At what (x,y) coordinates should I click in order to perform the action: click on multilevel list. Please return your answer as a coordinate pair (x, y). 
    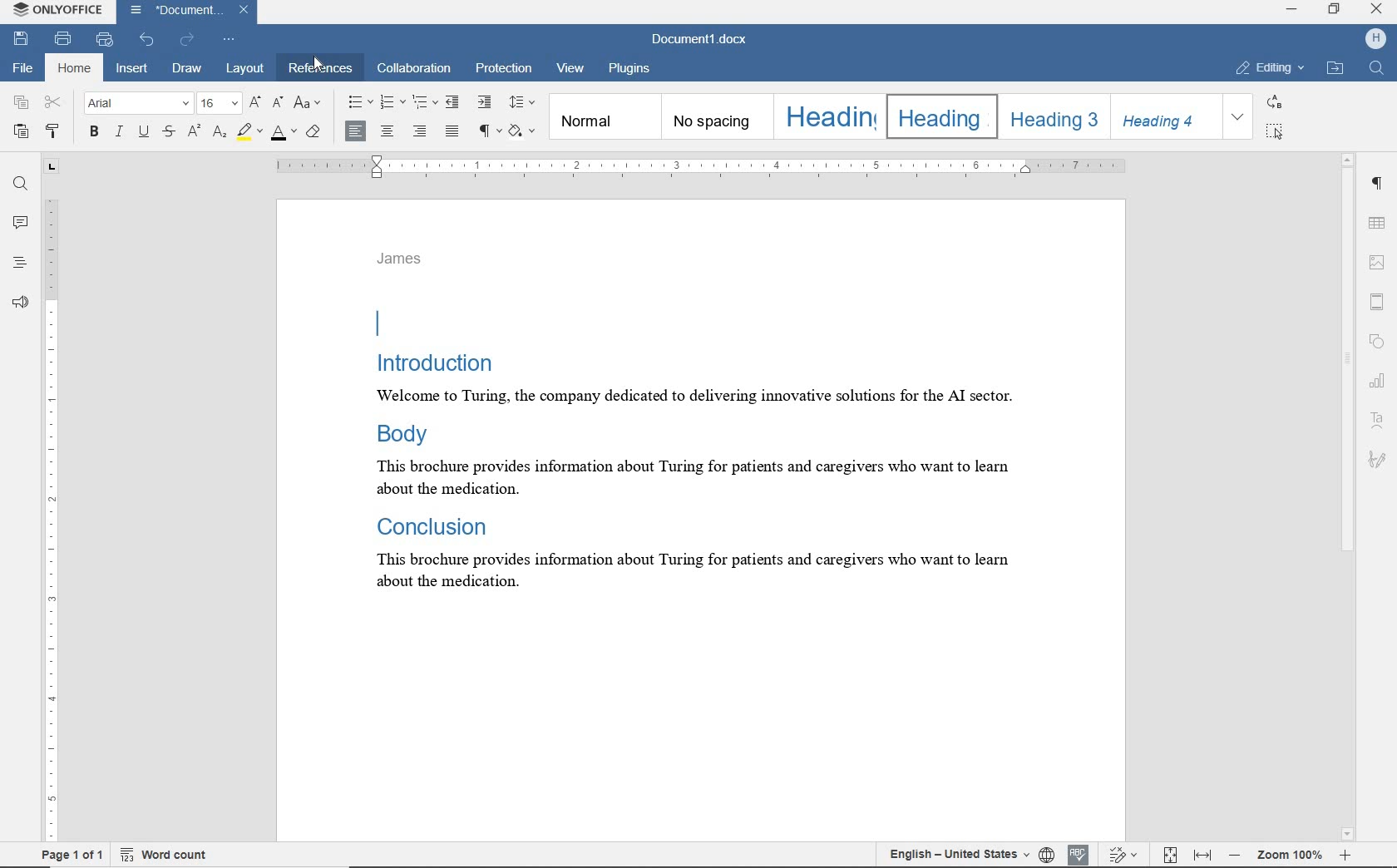
    Looking at the image, I should click on (426, 104).